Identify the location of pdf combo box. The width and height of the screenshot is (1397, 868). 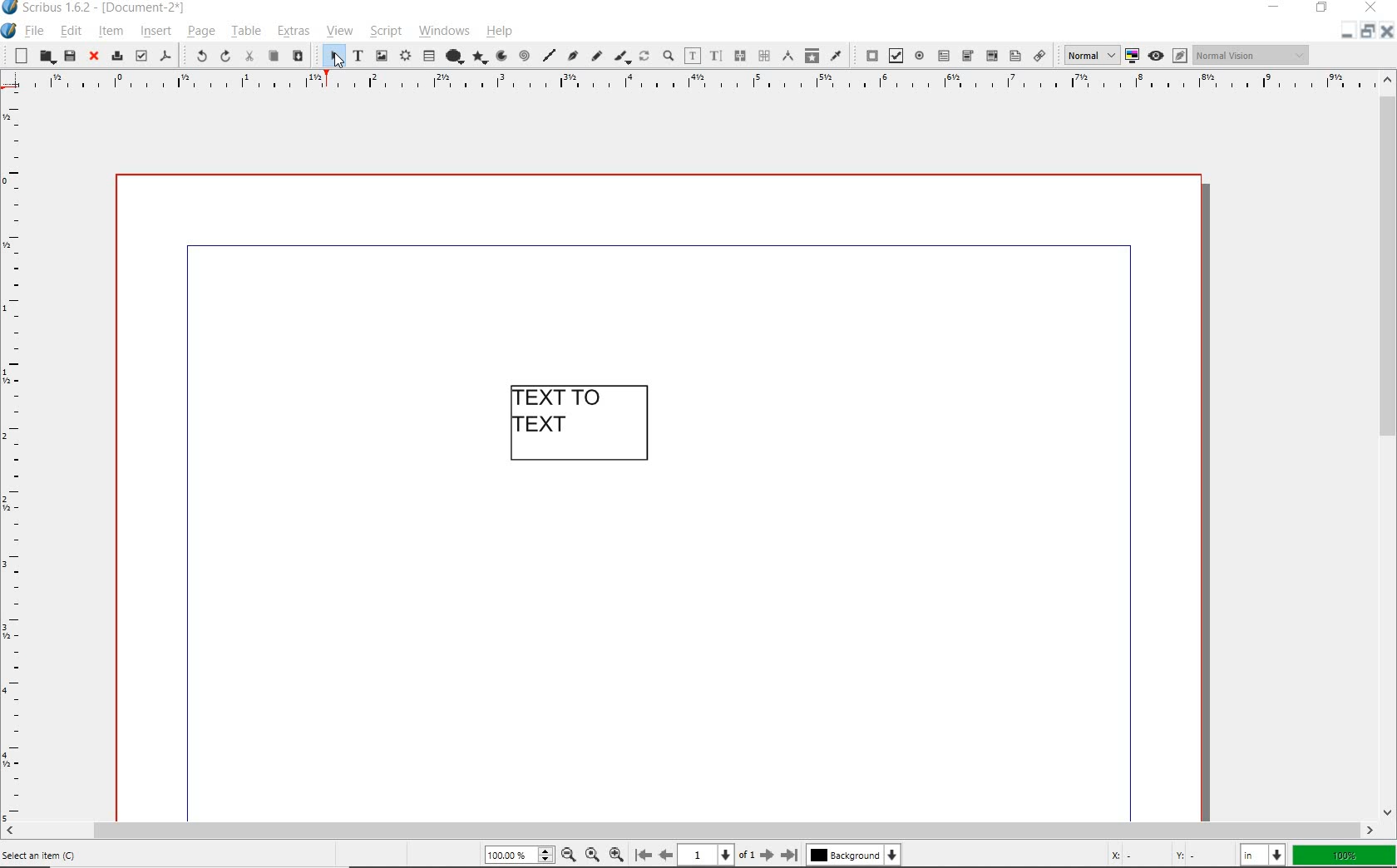
(991, 57).